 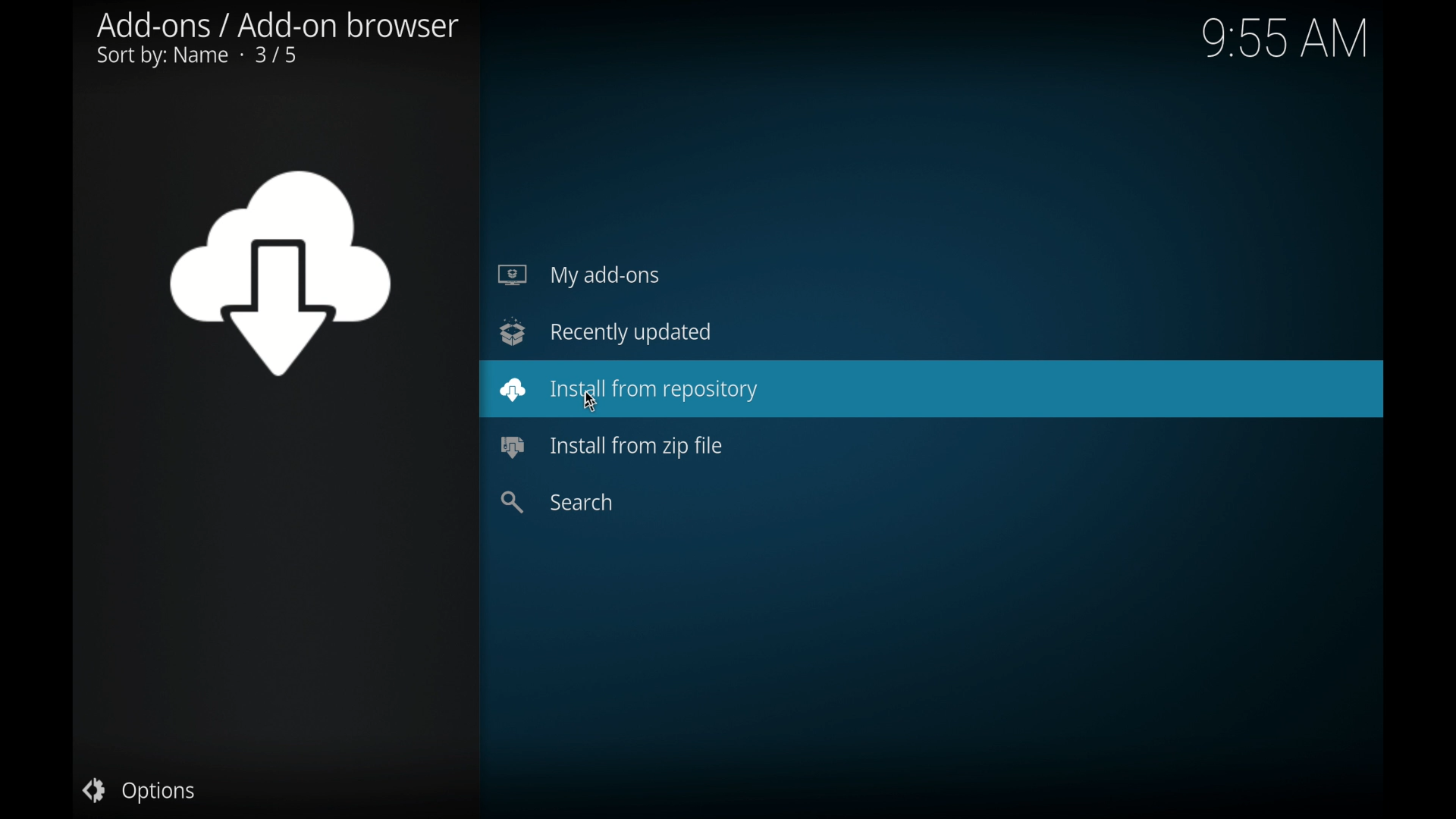 I want to click on sort by name , so click(x=196, y=58).